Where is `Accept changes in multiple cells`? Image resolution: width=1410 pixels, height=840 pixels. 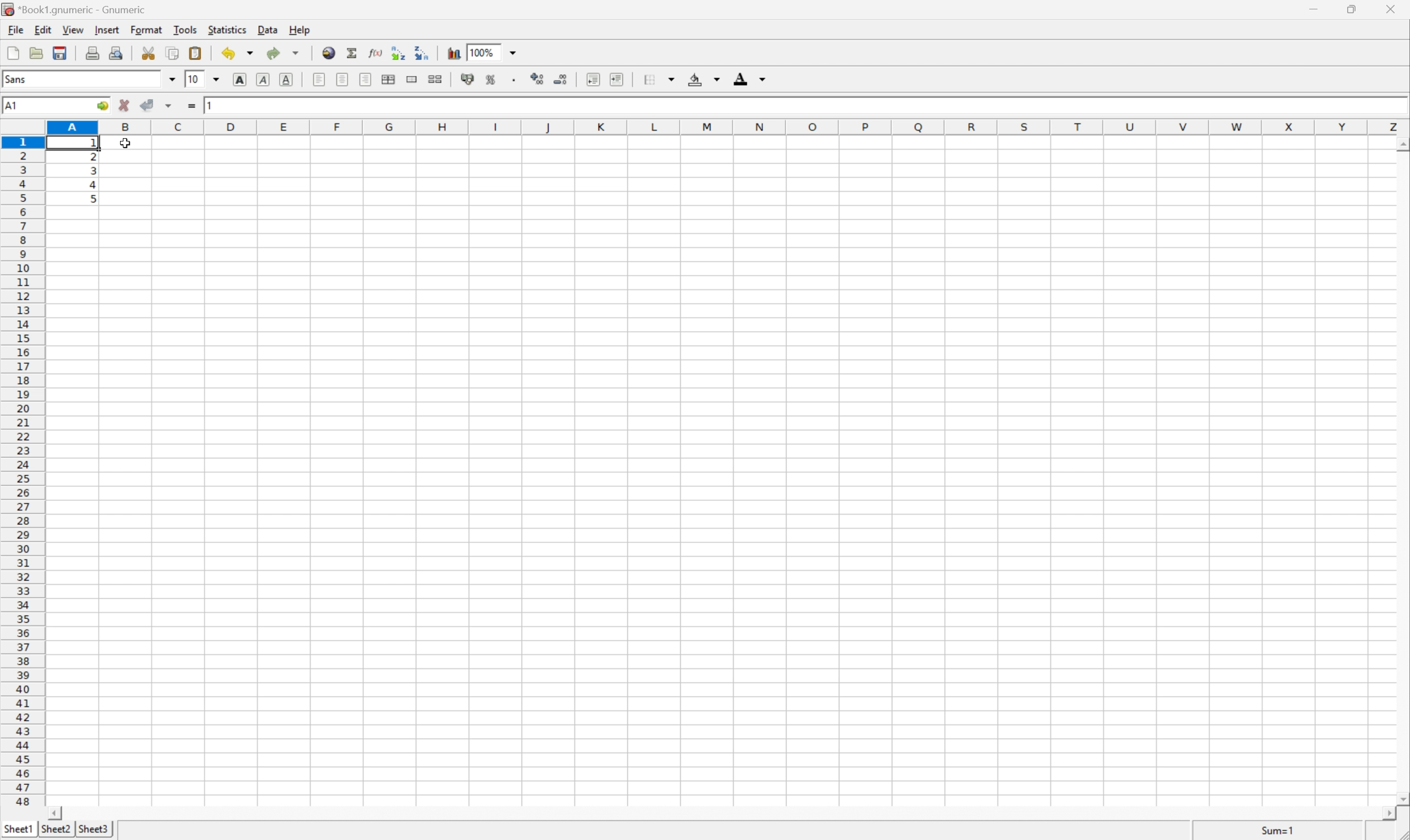
Accept changes in multiple cells is located at coordinates (165, 108).